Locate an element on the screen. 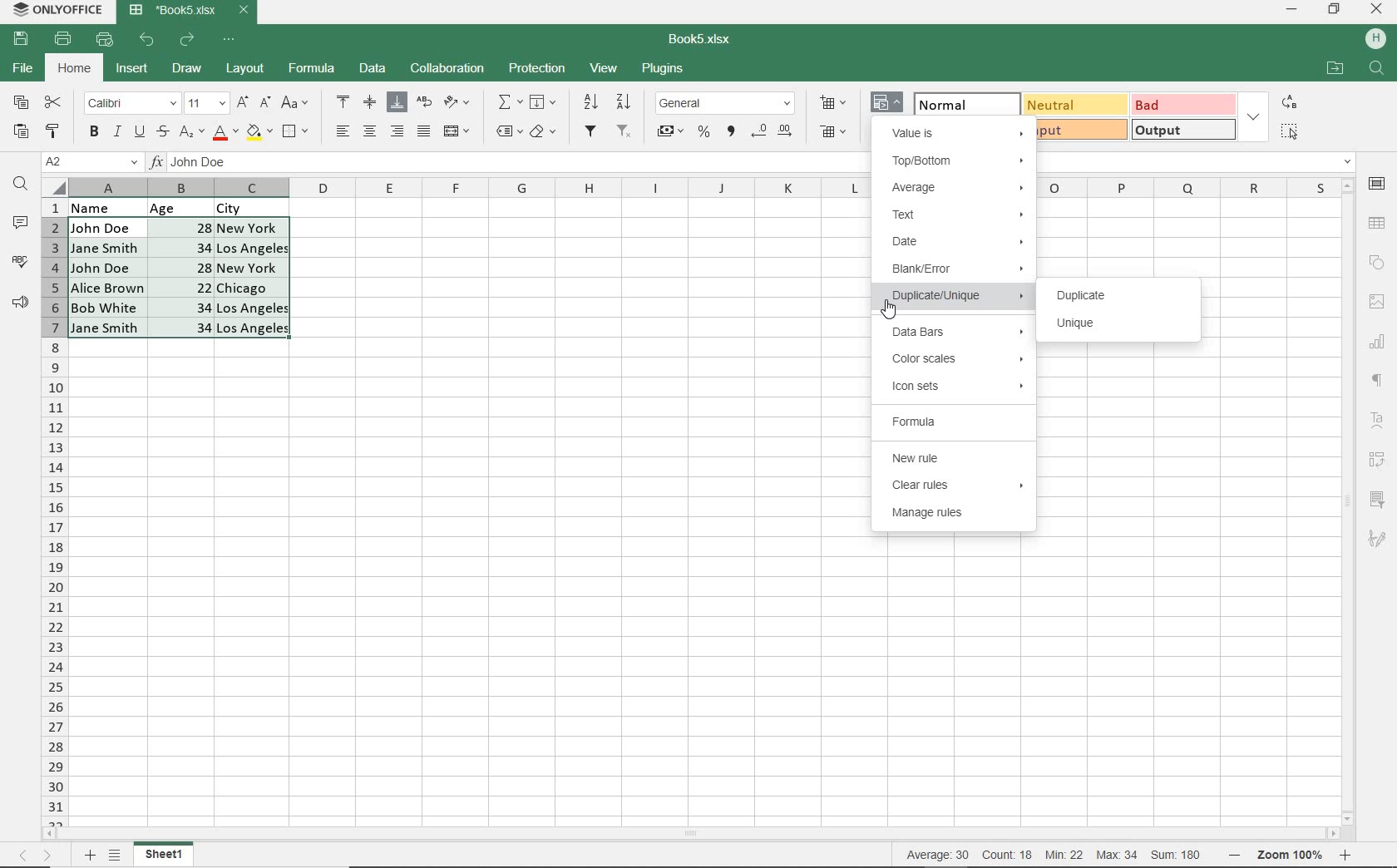  EXPAND is located at coordinates (1253, 116).